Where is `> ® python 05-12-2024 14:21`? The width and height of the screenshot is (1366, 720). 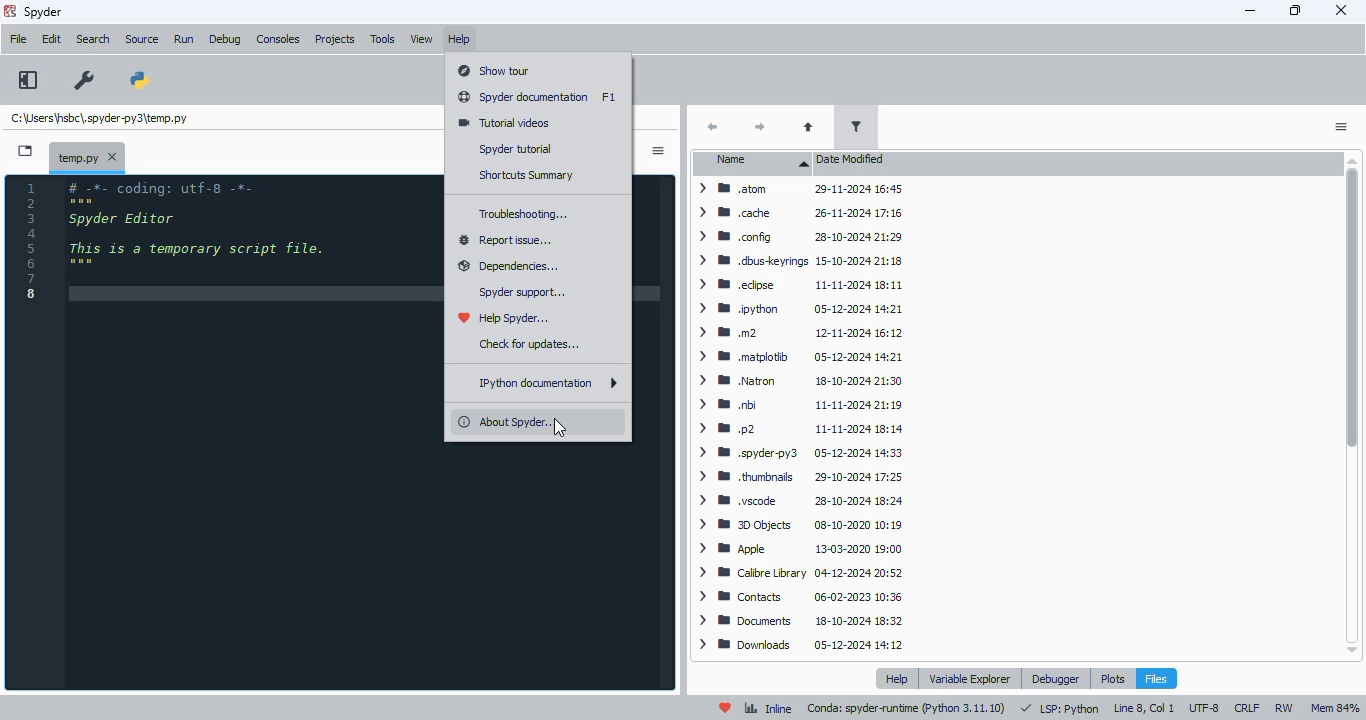
> ® python 05-12-2024 14:21 is located at coordinates (799, 308).